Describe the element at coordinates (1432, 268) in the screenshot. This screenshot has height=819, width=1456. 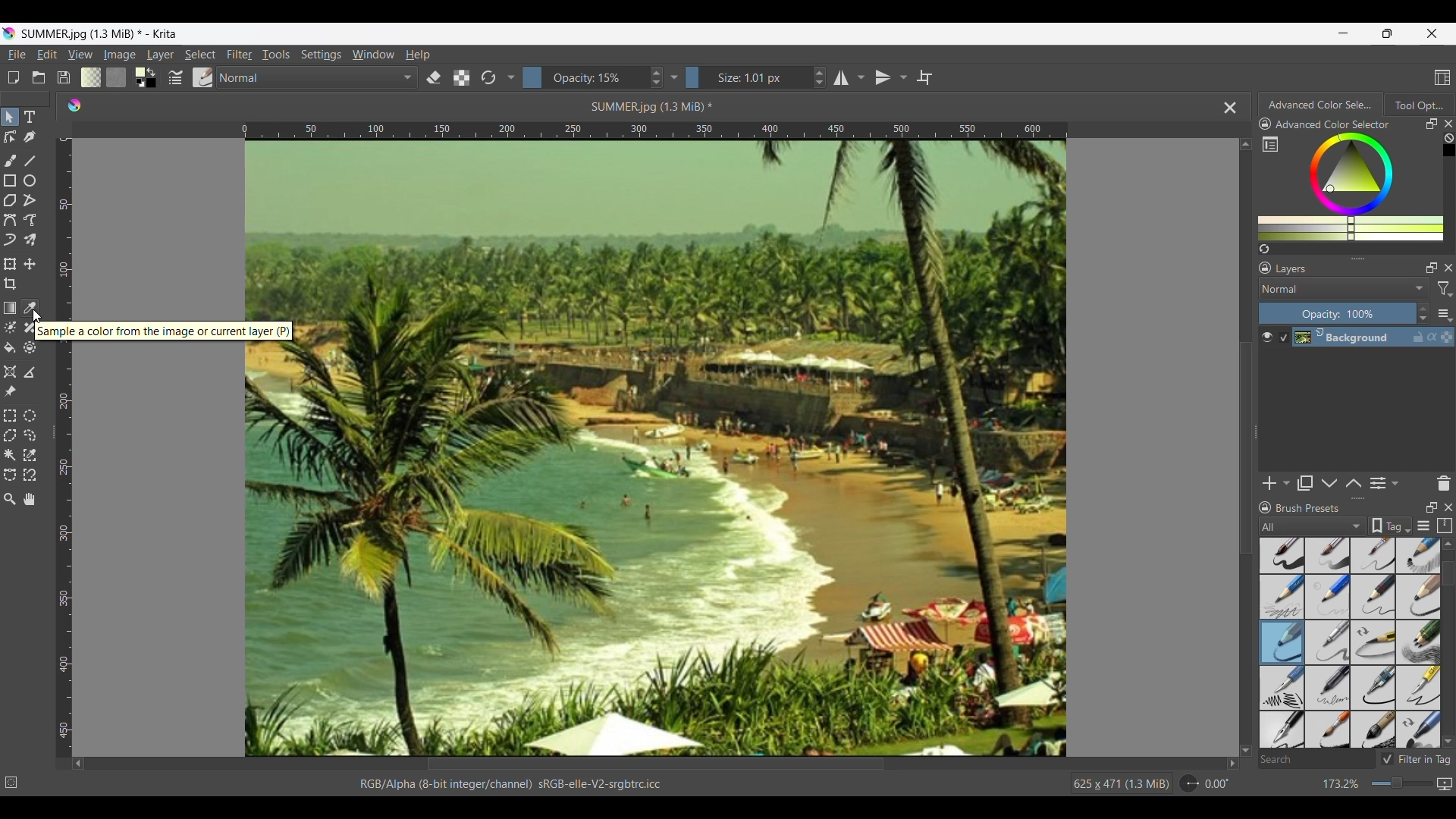
I see `Float docker` at that location.